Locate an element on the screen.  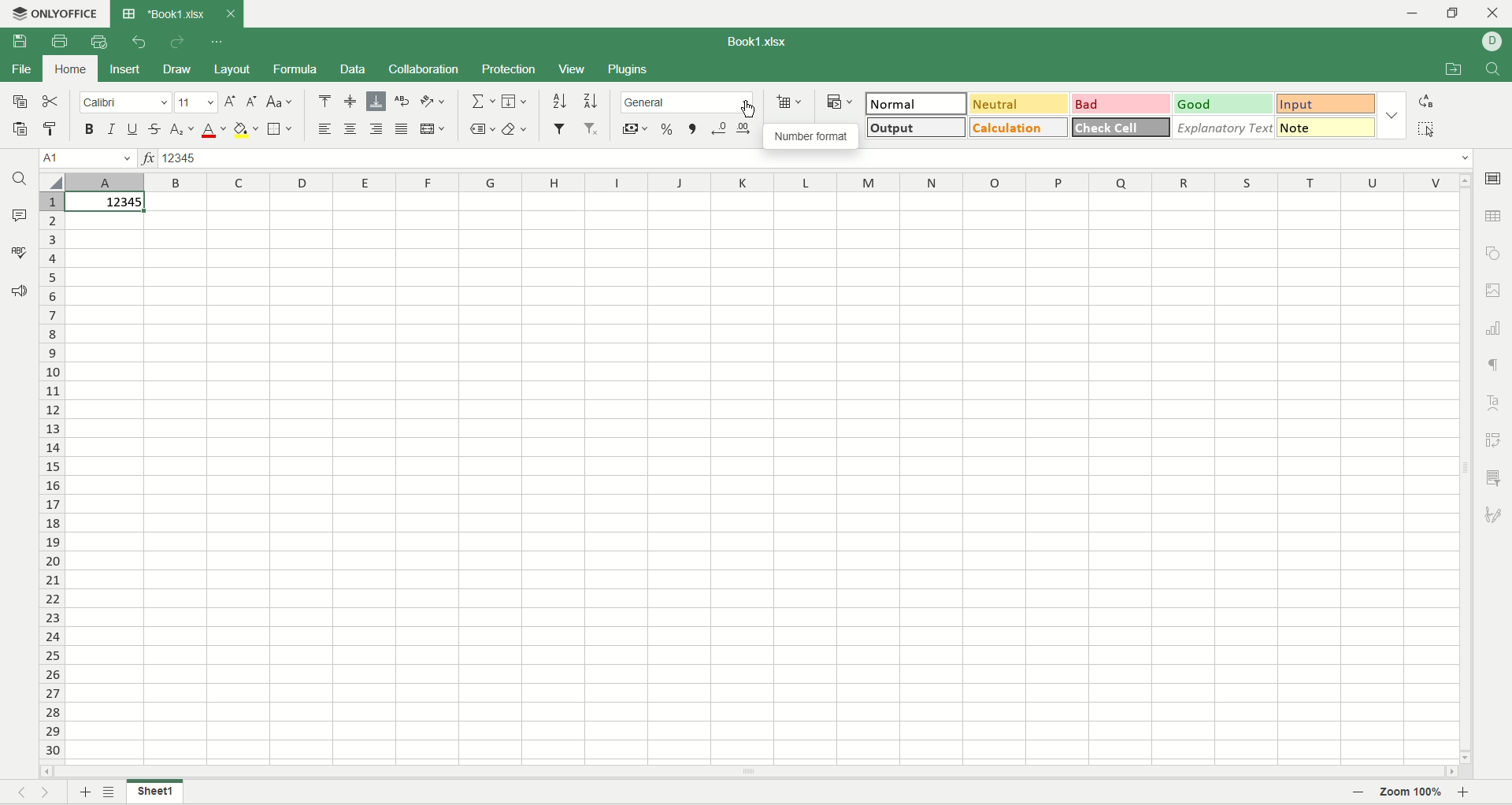
decrease decimal is located at coordinates (720, 131).